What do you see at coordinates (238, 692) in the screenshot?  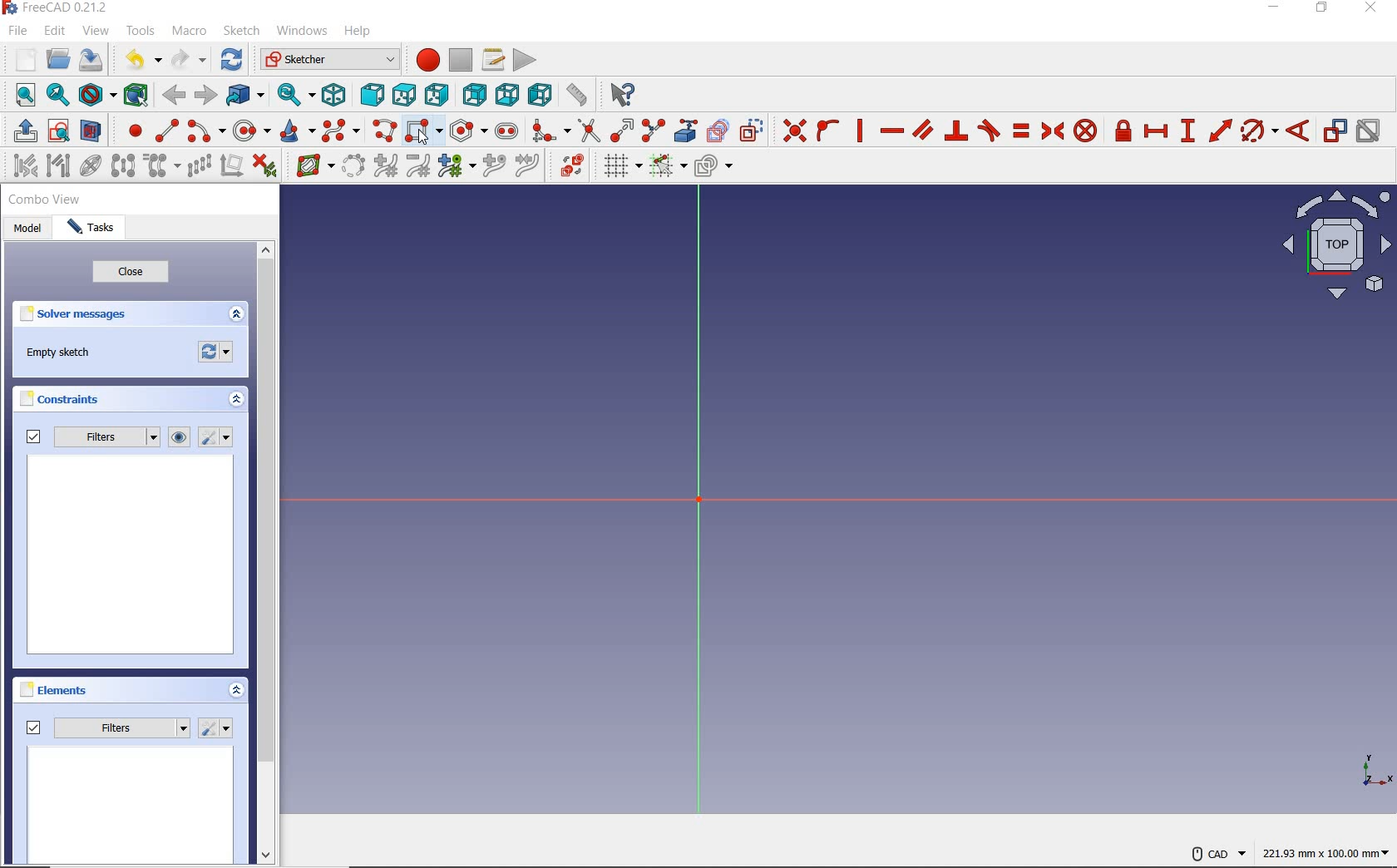 I see `expand` at bounding box center [238, 692].